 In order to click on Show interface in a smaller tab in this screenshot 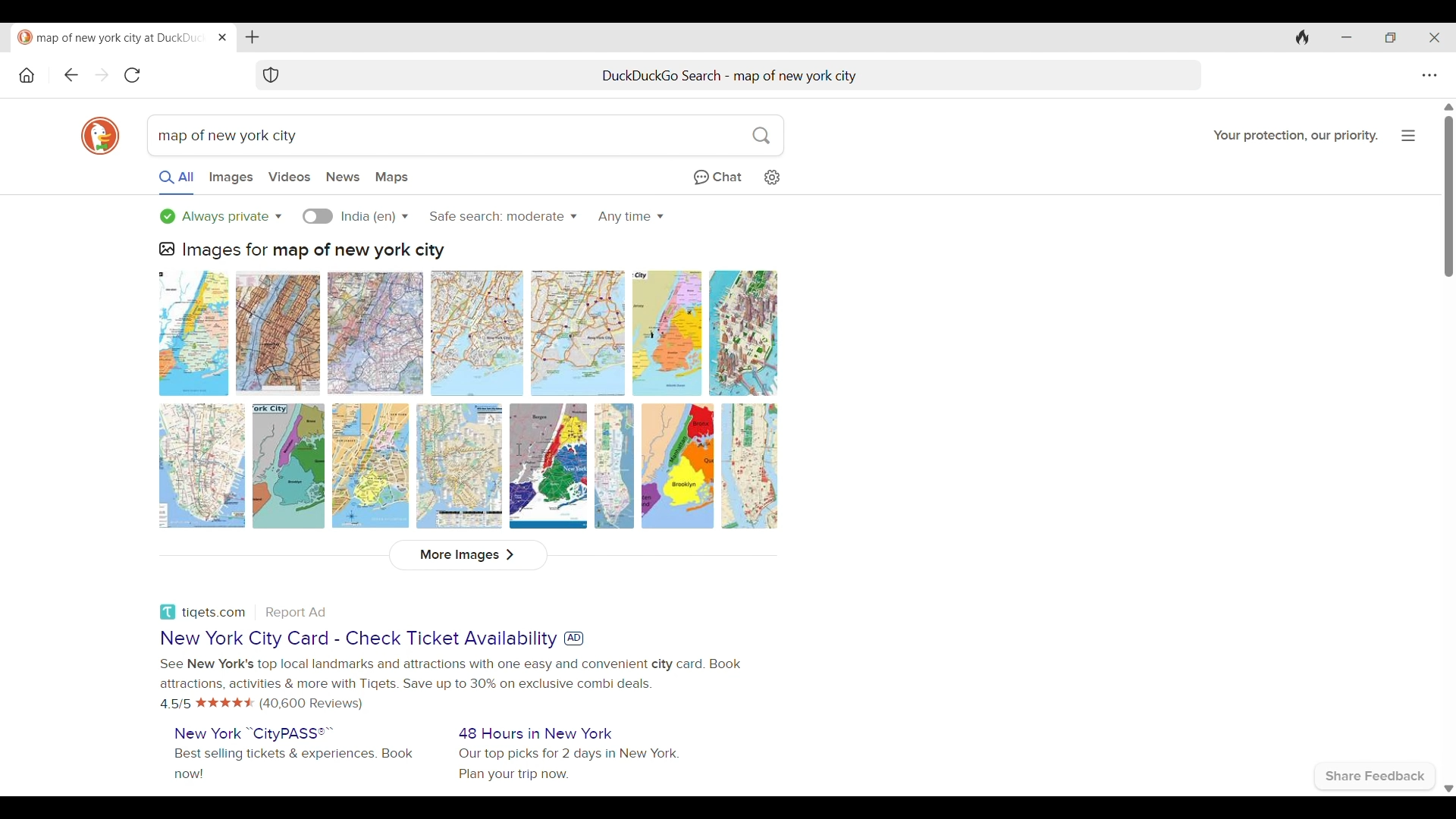, I will do `click(1391, 37)`.